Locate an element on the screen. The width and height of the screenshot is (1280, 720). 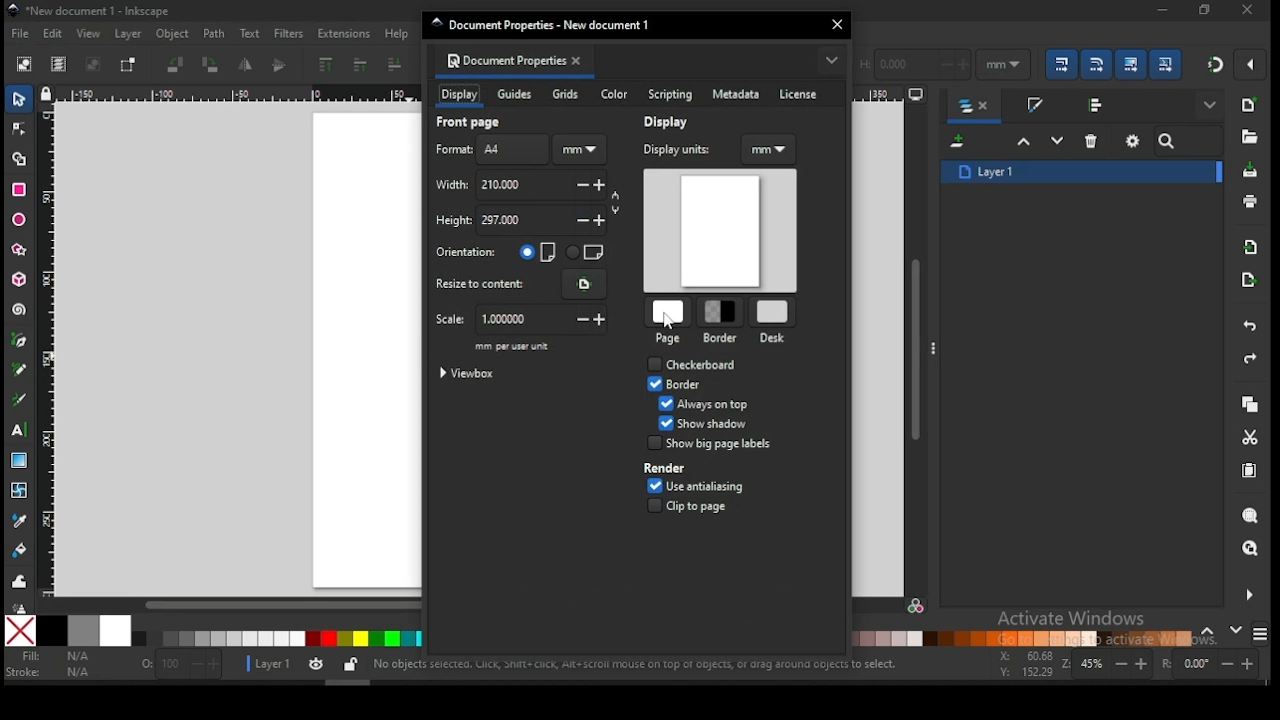
file is located at coordinates (20, 36).